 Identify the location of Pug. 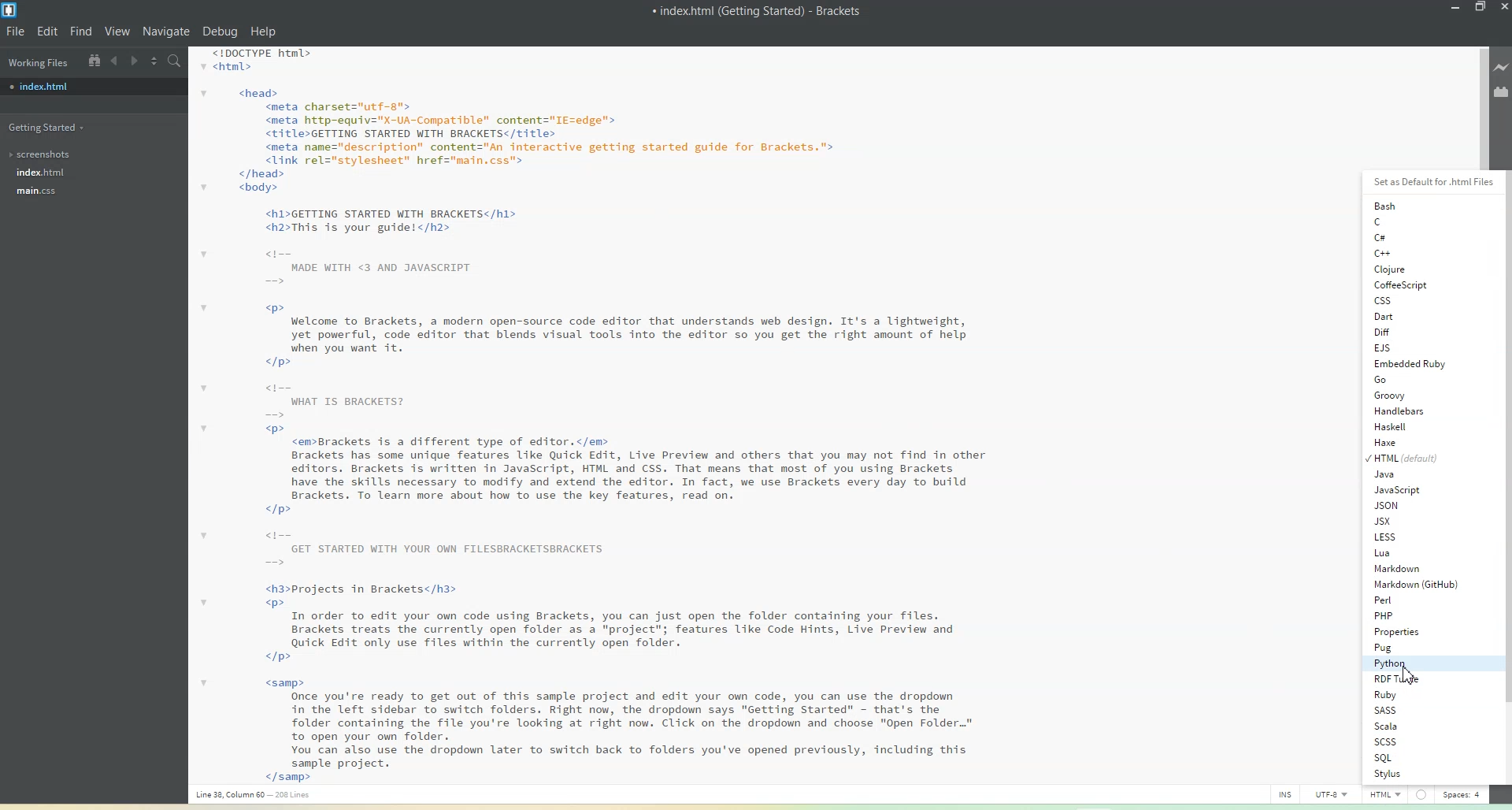
(1416, 647).